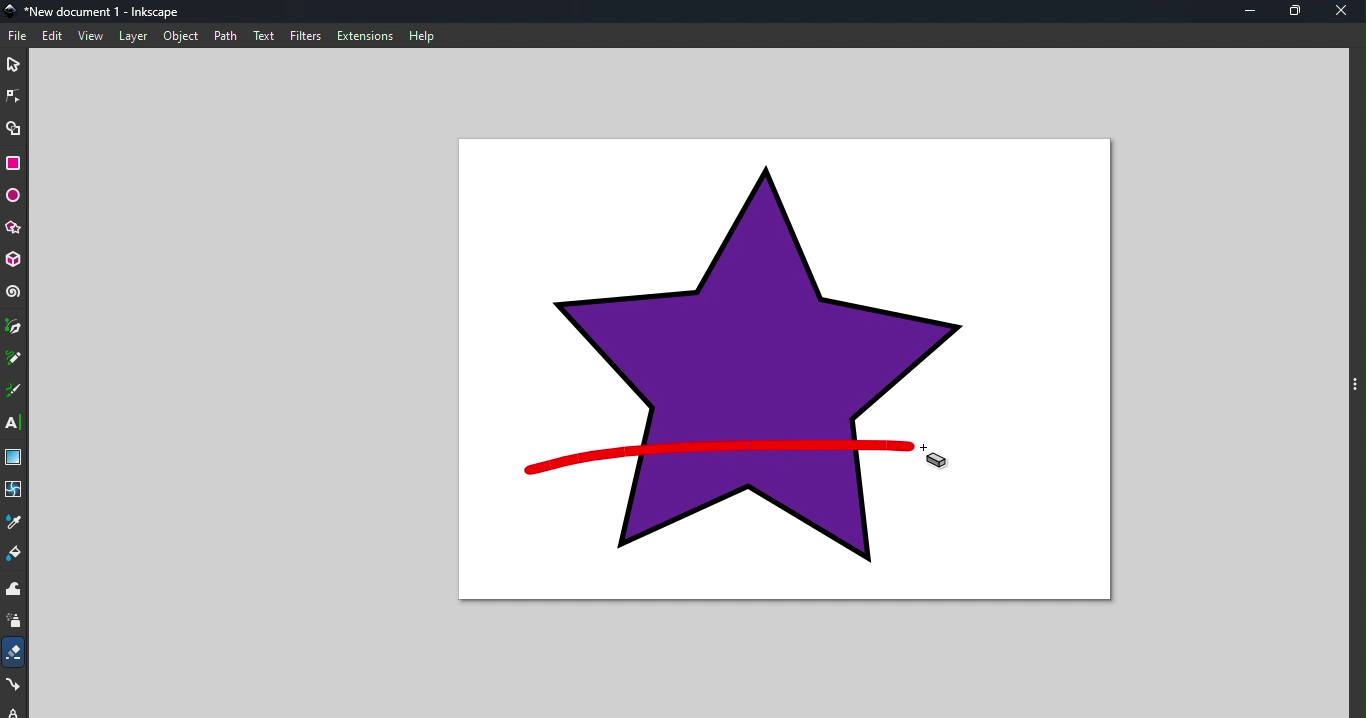 This screenshot has width=1366, height=718. Describe the element at coordinates (15, 555) in the screenshot. I see `paint bucket tool` at that location.